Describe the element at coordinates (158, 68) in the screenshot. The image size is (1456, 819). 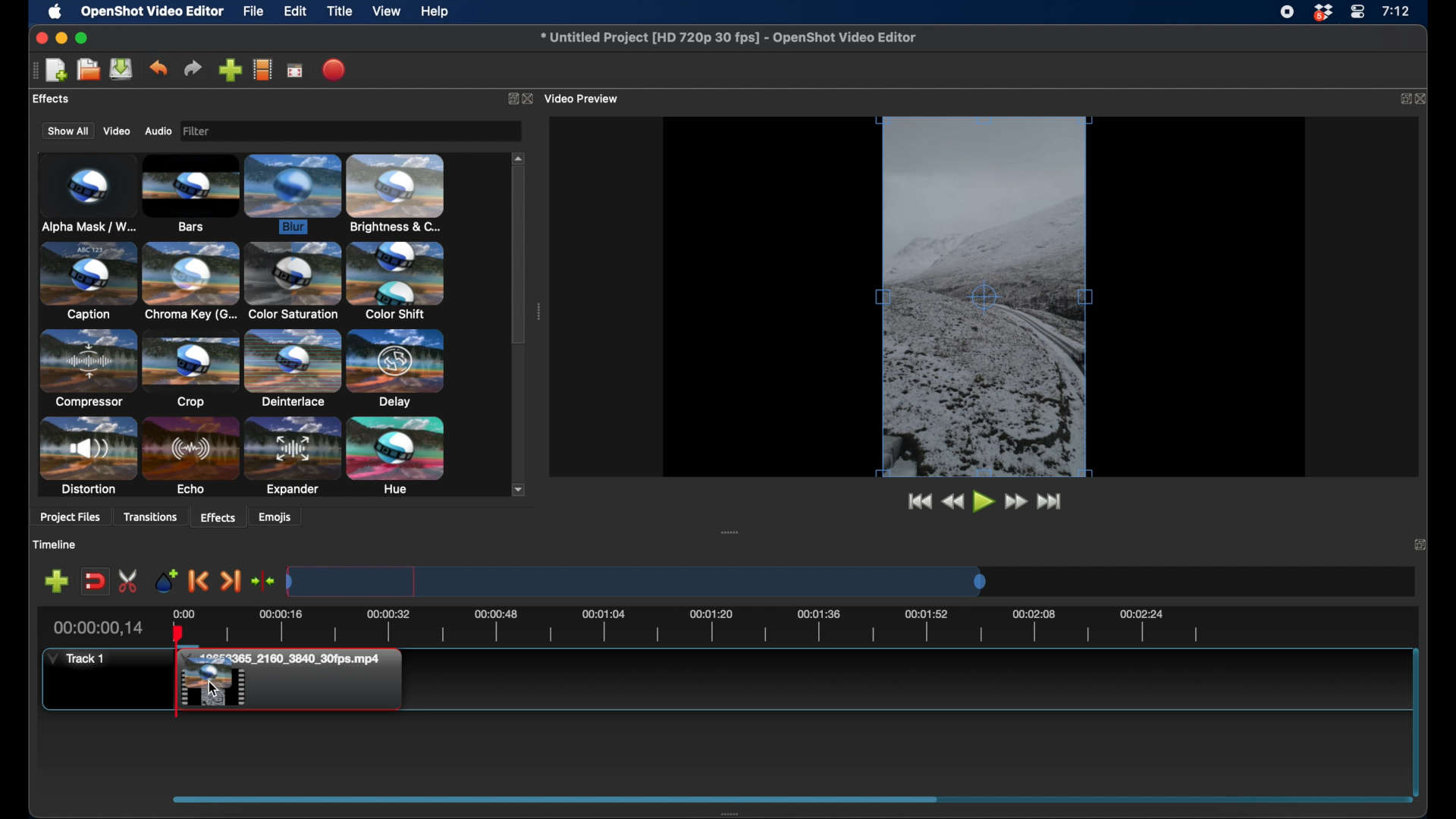
I see `undo` at that location.